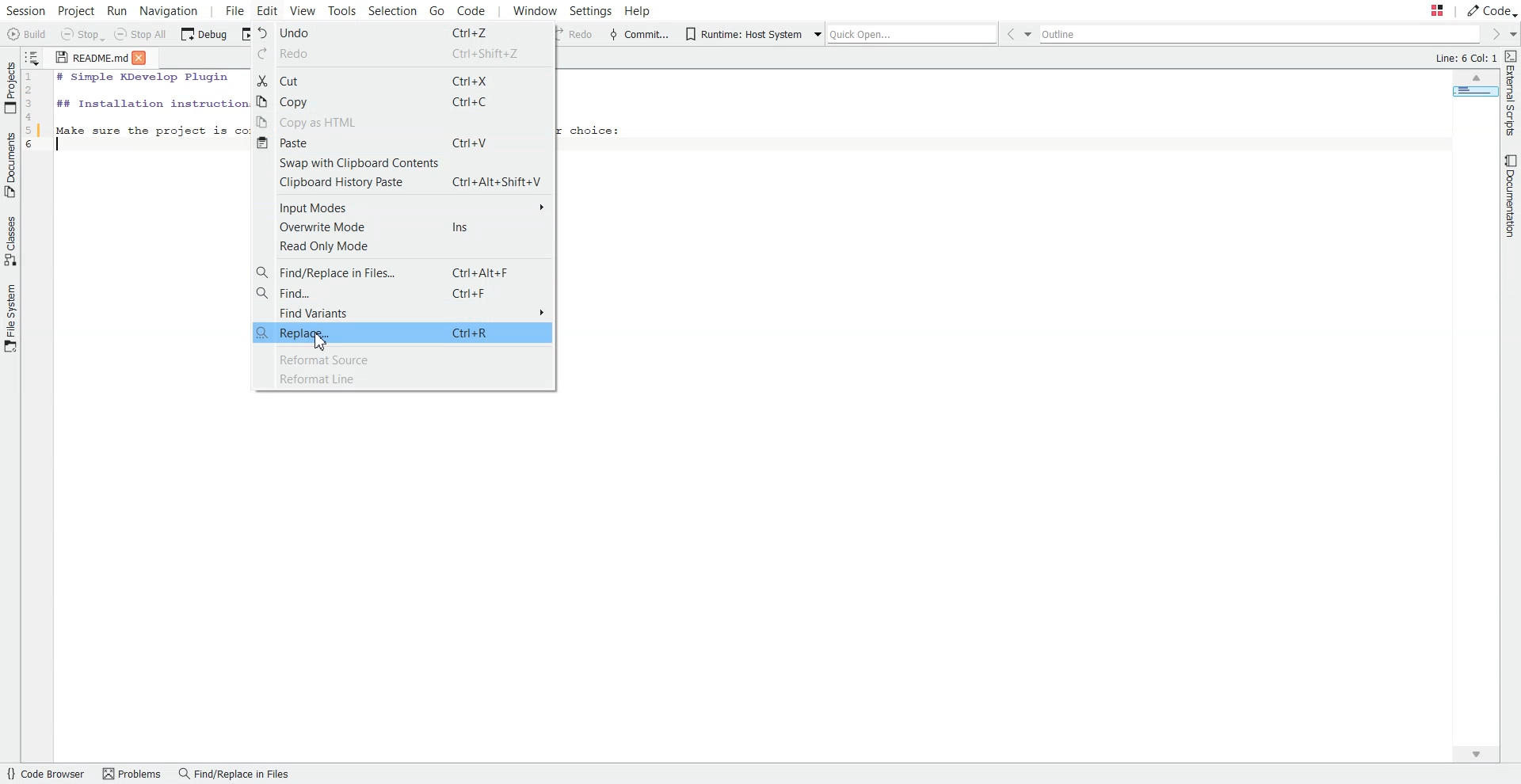 The height and width of the screenshot is (784, 1521). I want to click on Redo, so click(573, 35).